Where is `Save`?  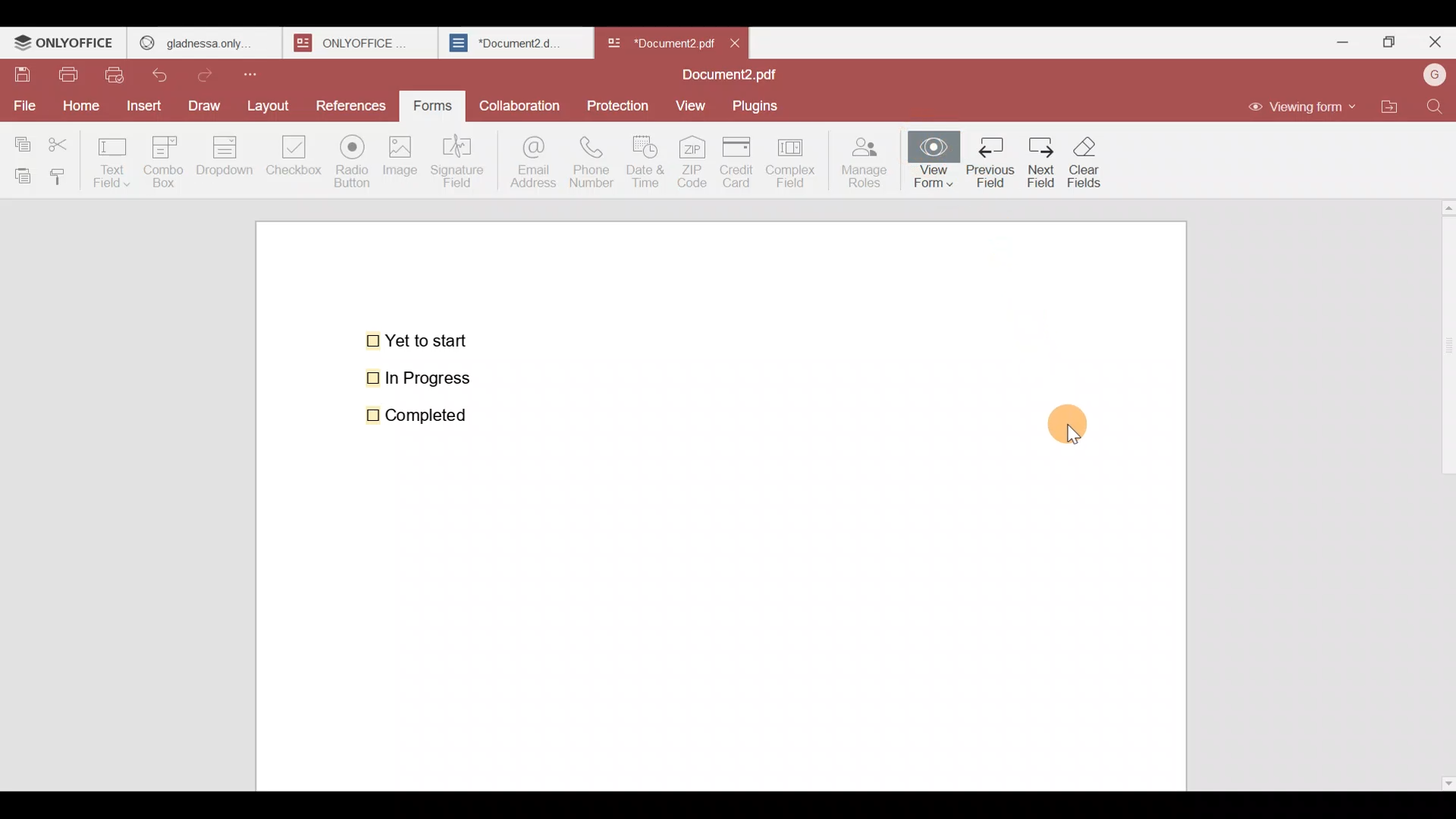 Save is located at coordinates (22, 75).